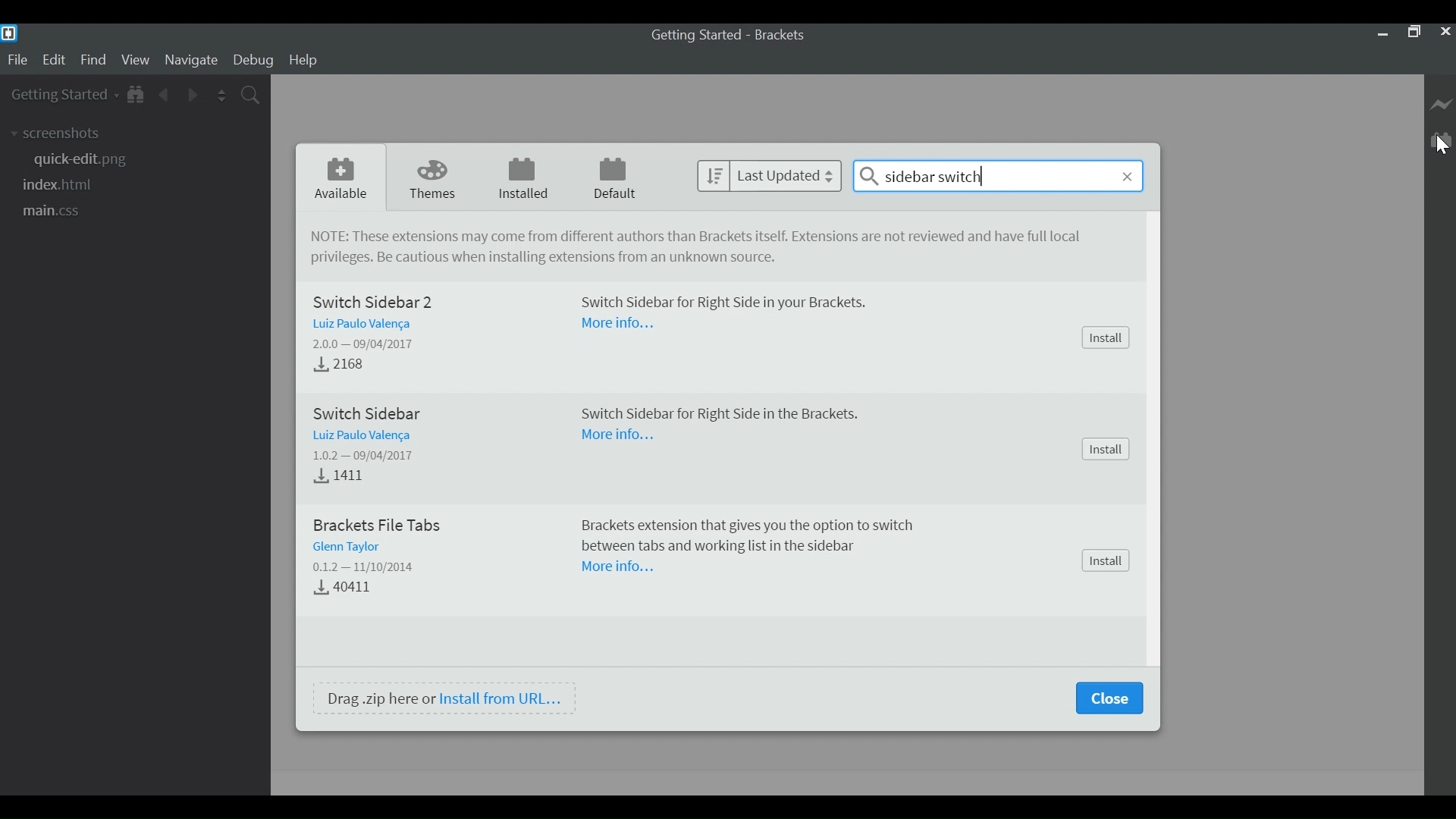  What do you see at coordinates (374, 413) in the screenshot?
I see `Switch Sidebar` at bounding box center [374, 413].